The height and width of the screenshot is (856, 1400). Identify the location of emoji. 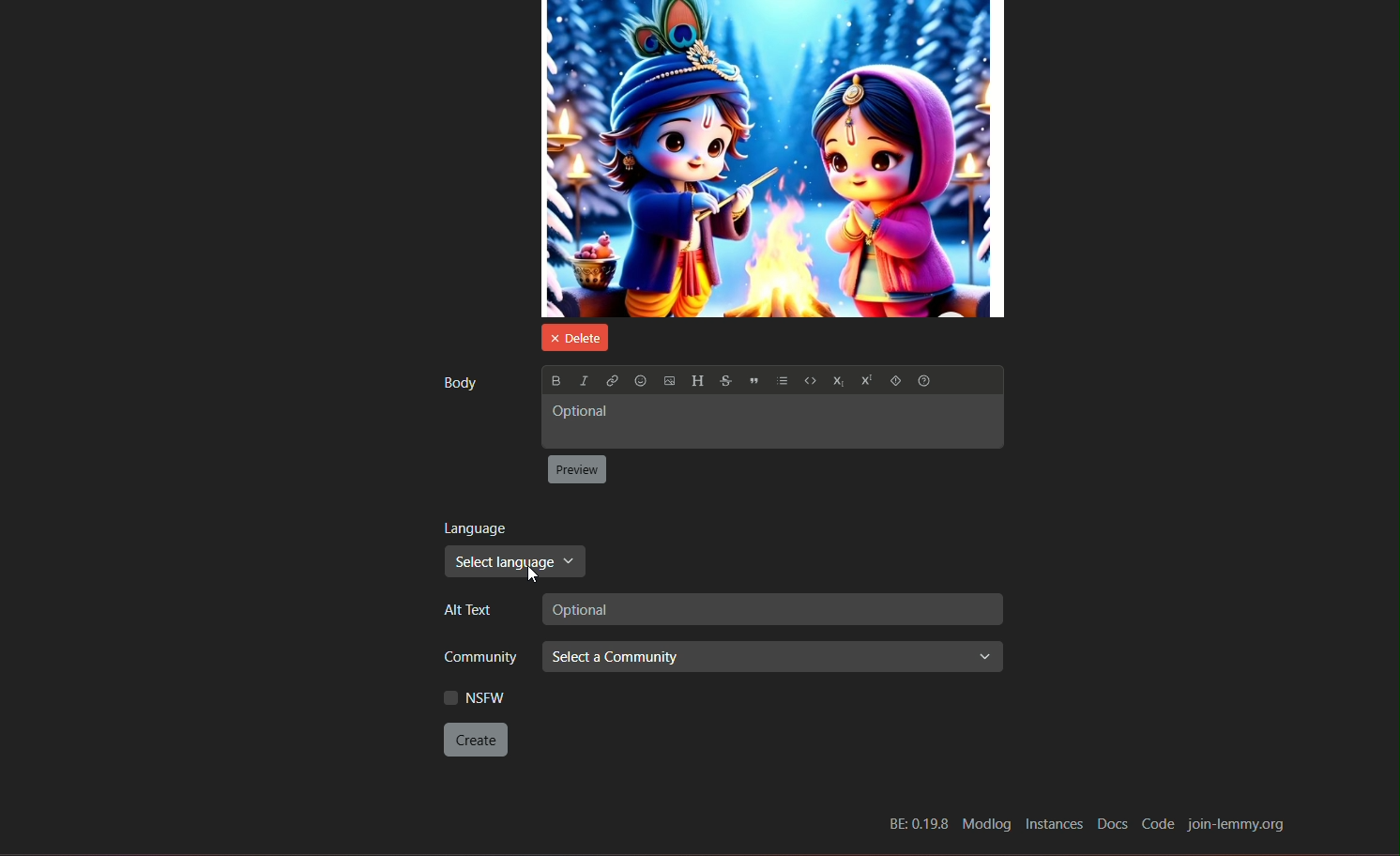
(640, 381).